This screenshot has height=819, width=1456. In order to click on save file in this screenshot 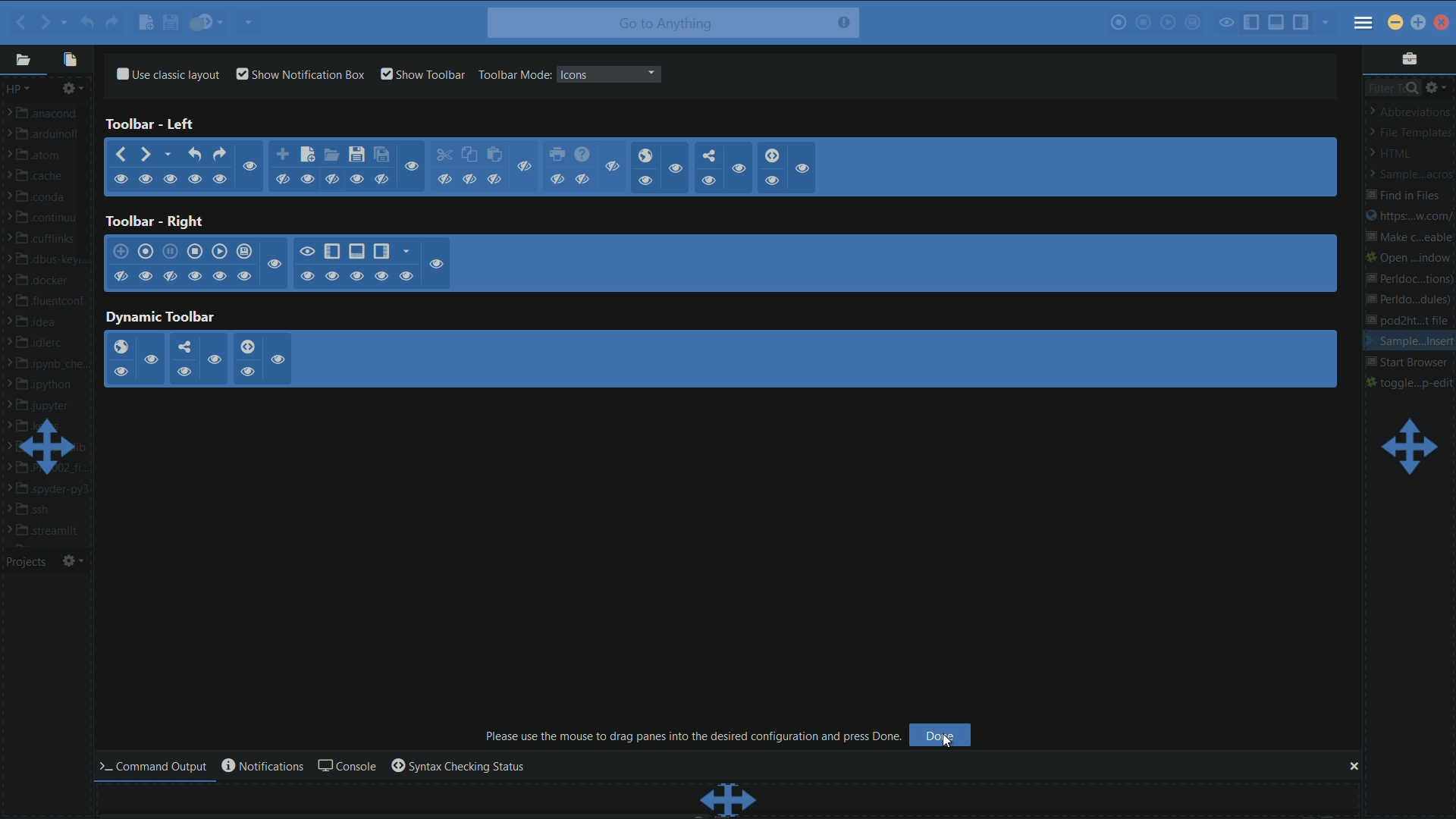, I will do `click(171, 24)`.